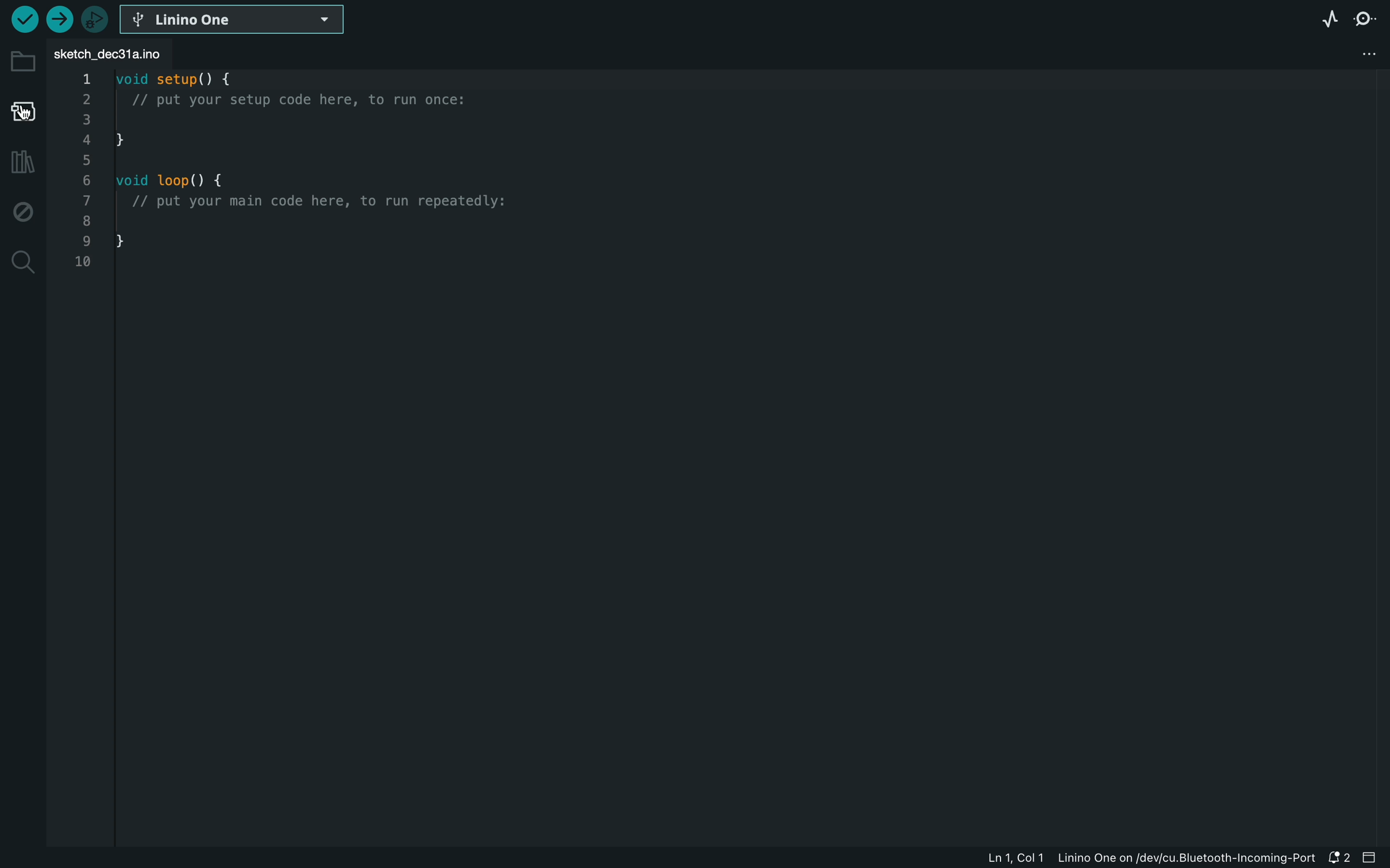  I want to click on cursor, so click(30, 114).